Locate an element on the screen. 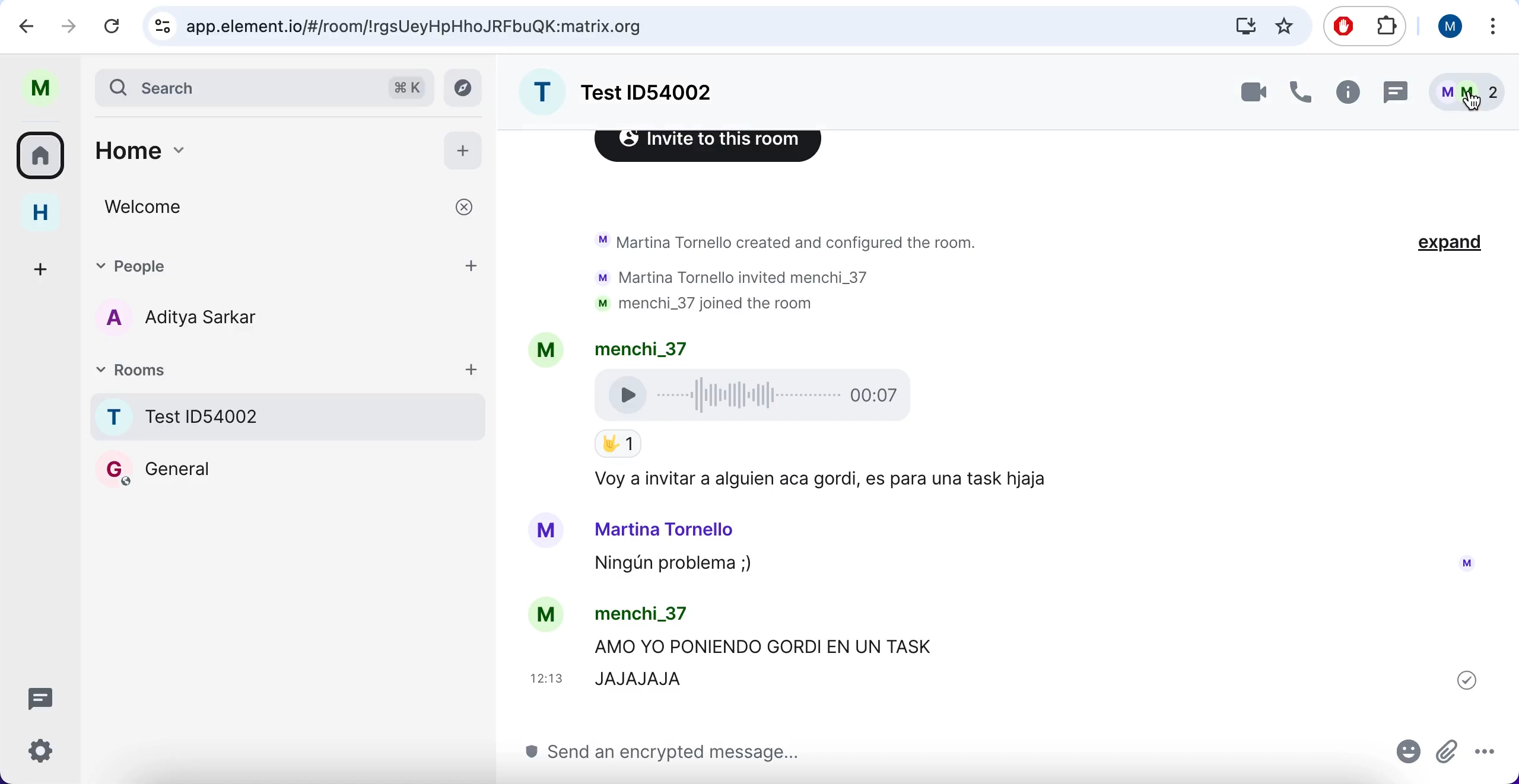  room name is located at coordinates (641, 91).